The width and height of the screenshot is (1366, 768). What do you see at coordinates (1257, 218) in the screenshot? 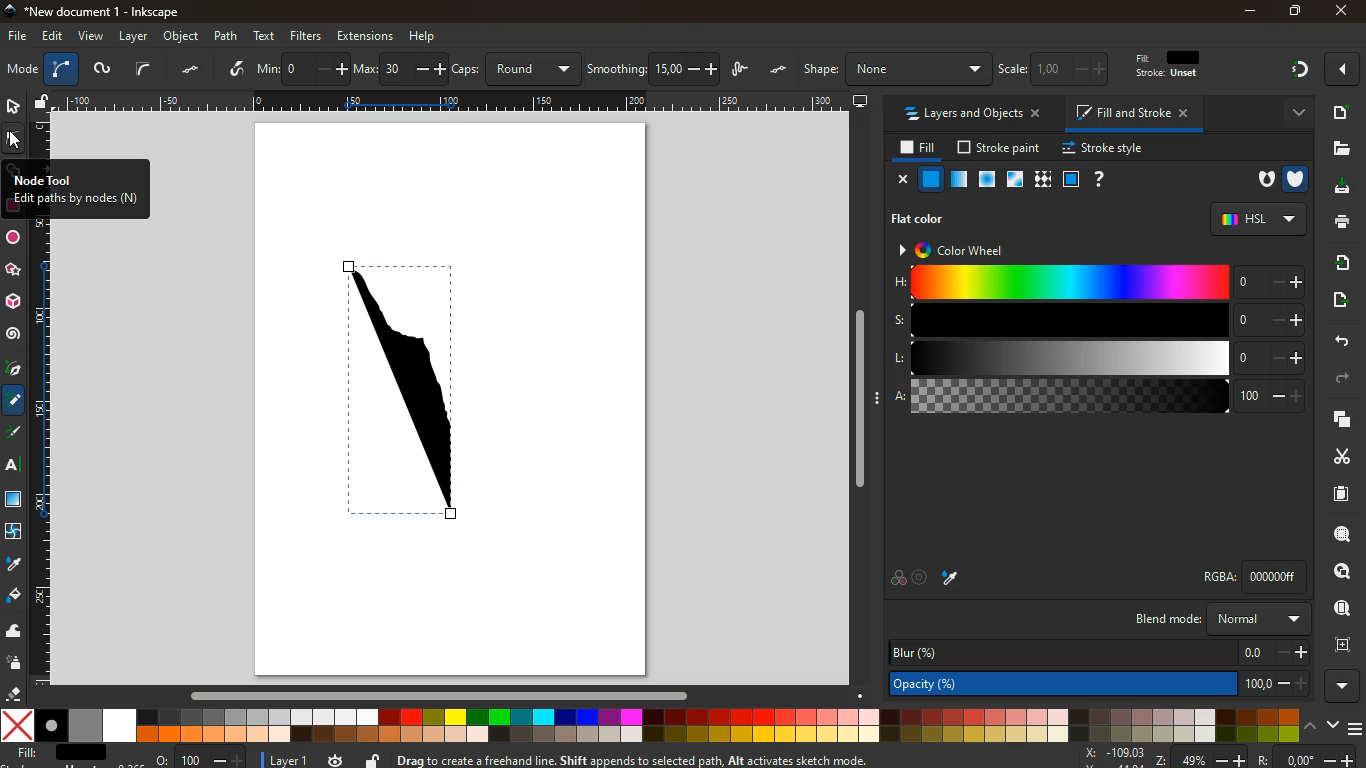
I see `hsl` at bounding box center [1257, 218].